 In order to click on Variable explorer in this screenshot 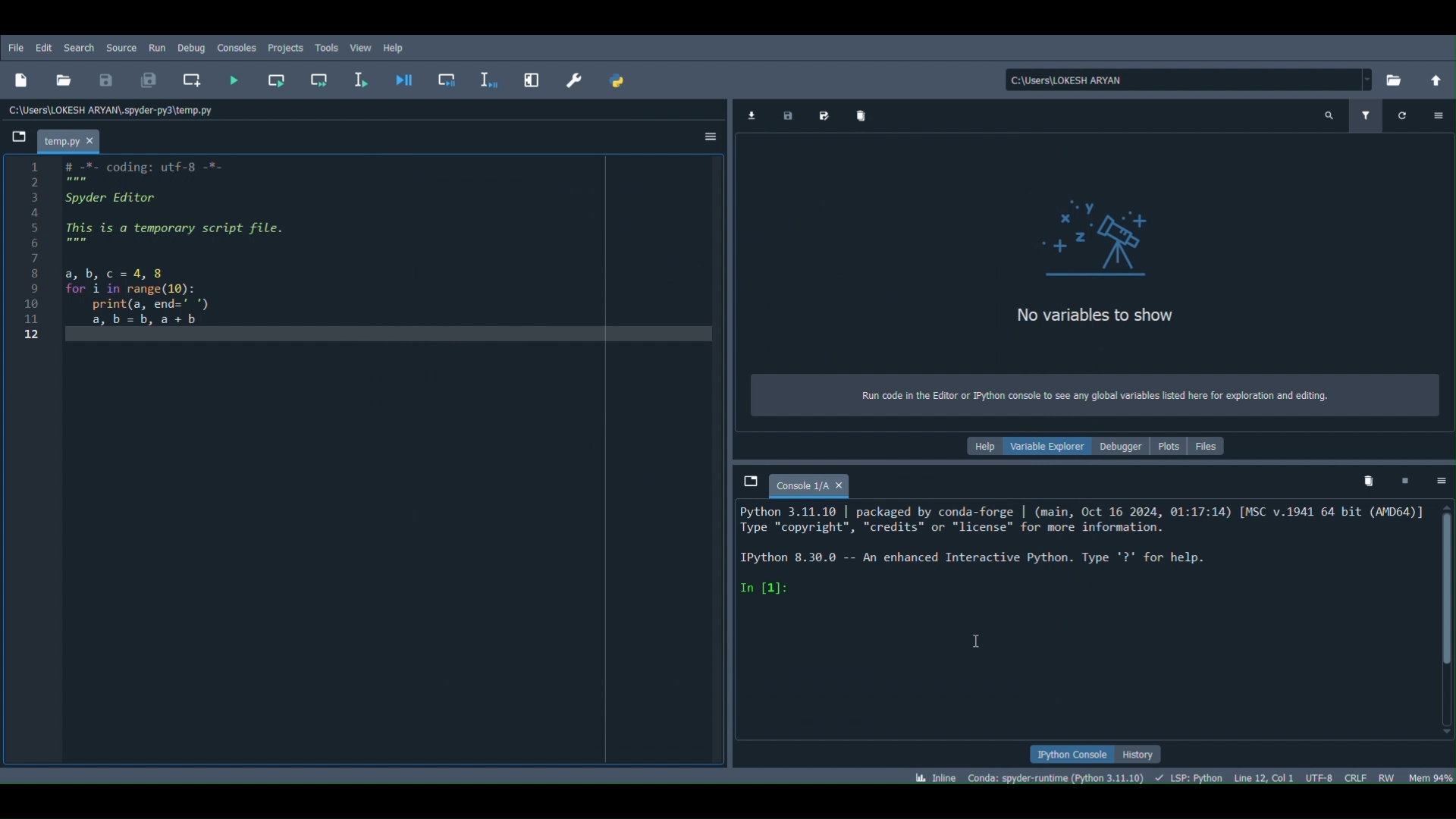, I will do `click(1046, 447)`.